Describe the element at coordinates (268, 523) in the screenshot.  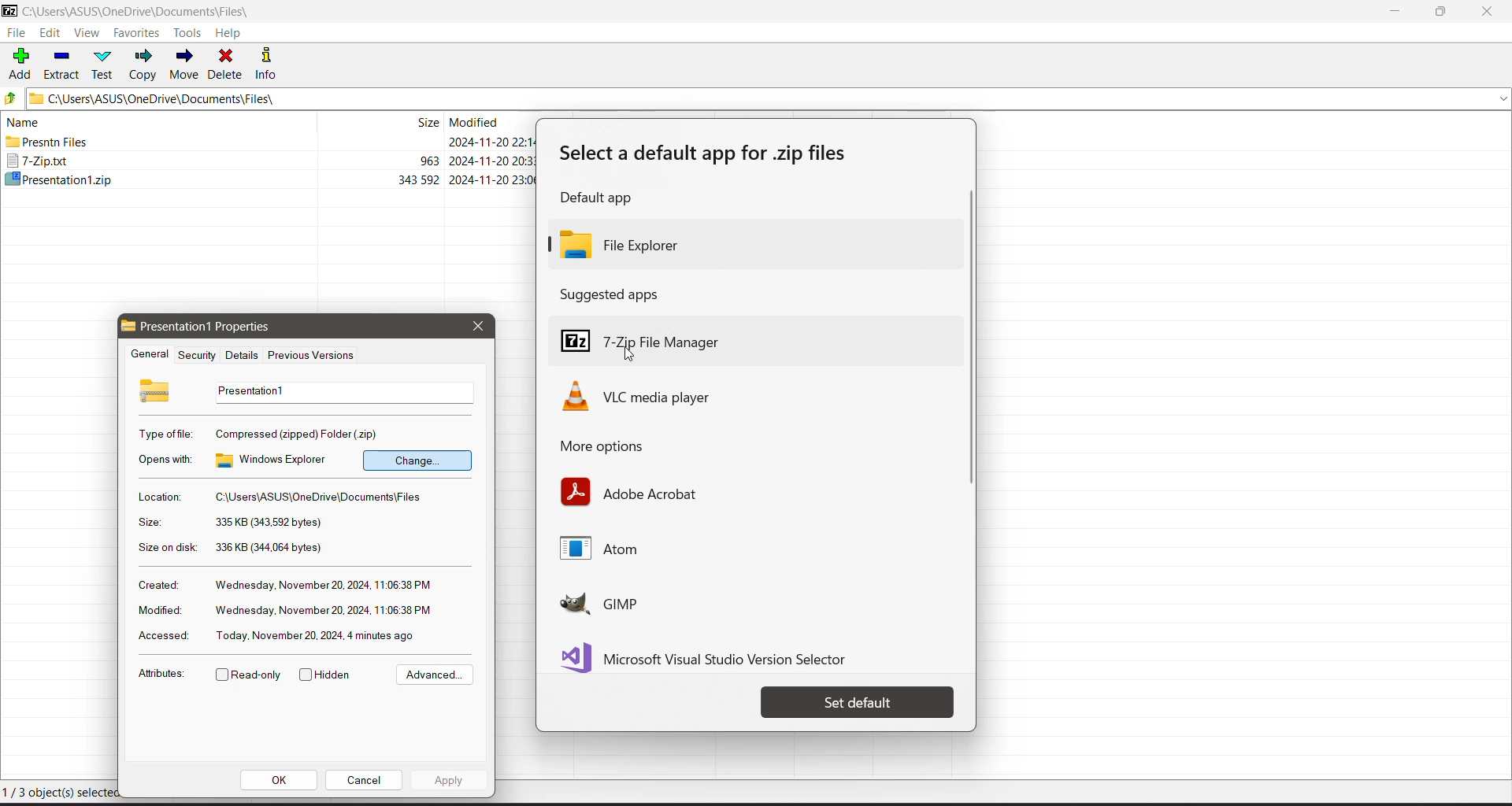
I see `Selected file size` at that location.